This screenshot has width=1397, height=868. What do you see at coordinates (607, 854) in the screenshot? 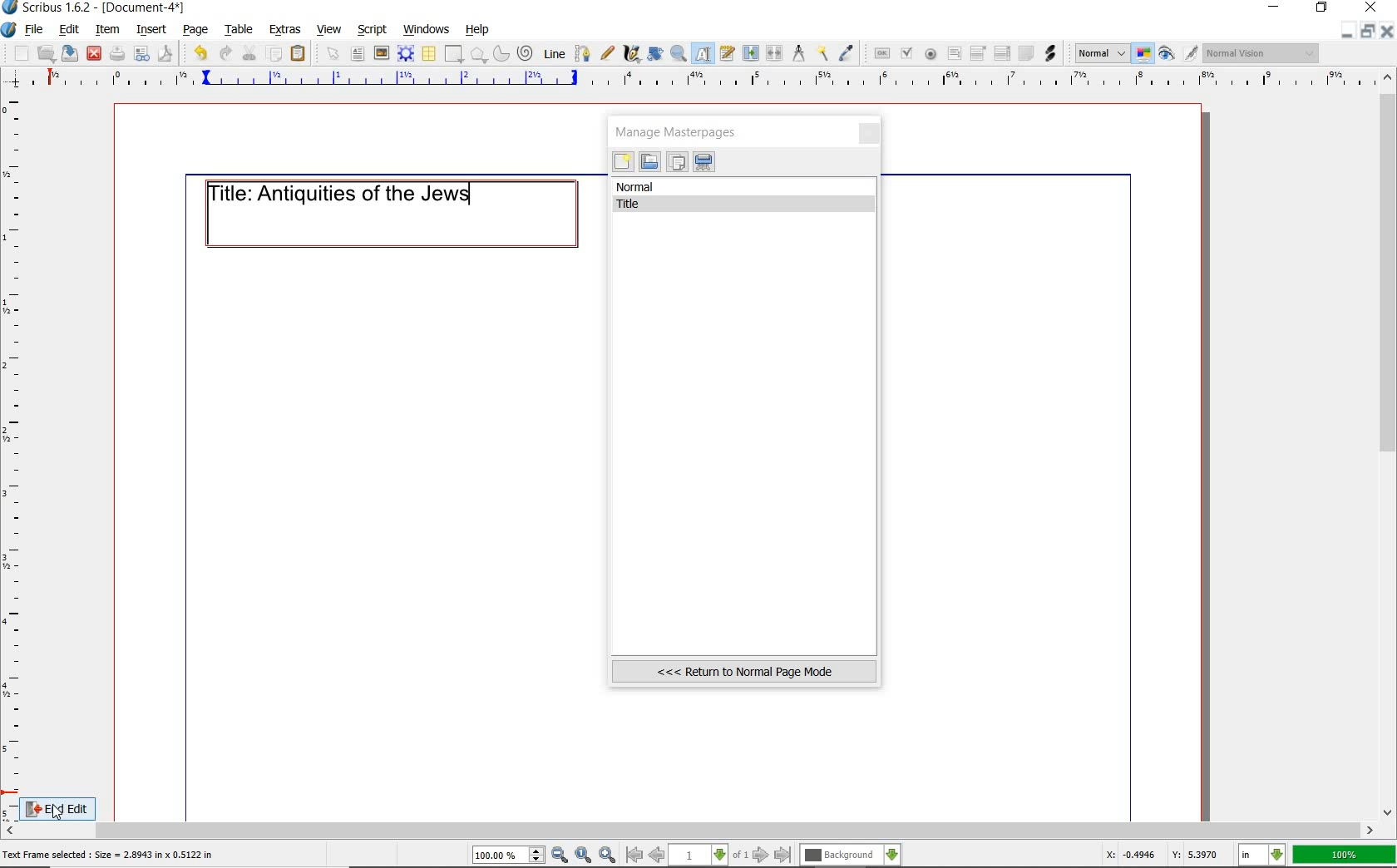
I see `zoom in` at bounding box center [607, 854].